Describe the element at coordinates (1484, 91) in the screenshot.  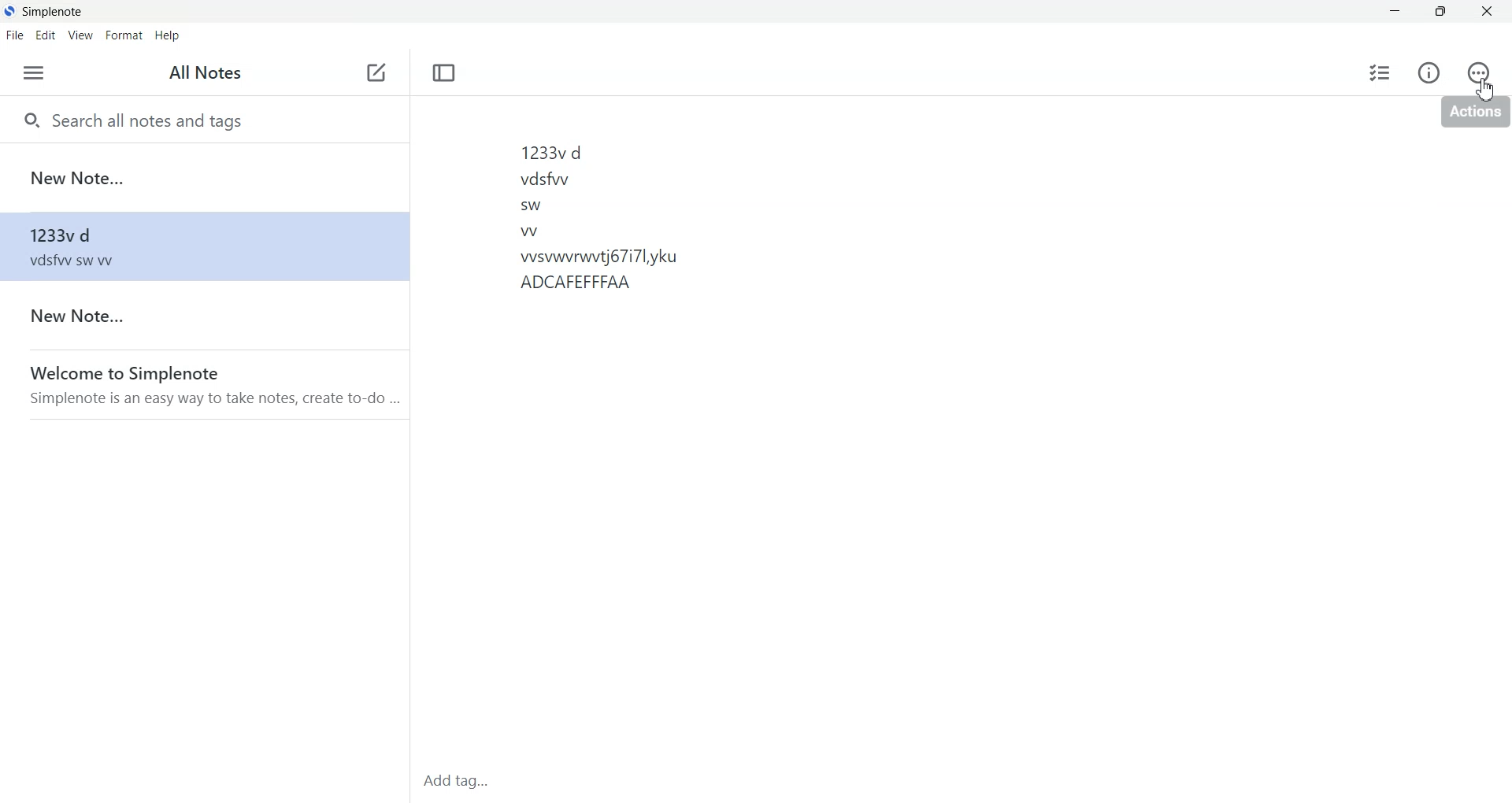
I see `Cursor` at that location.